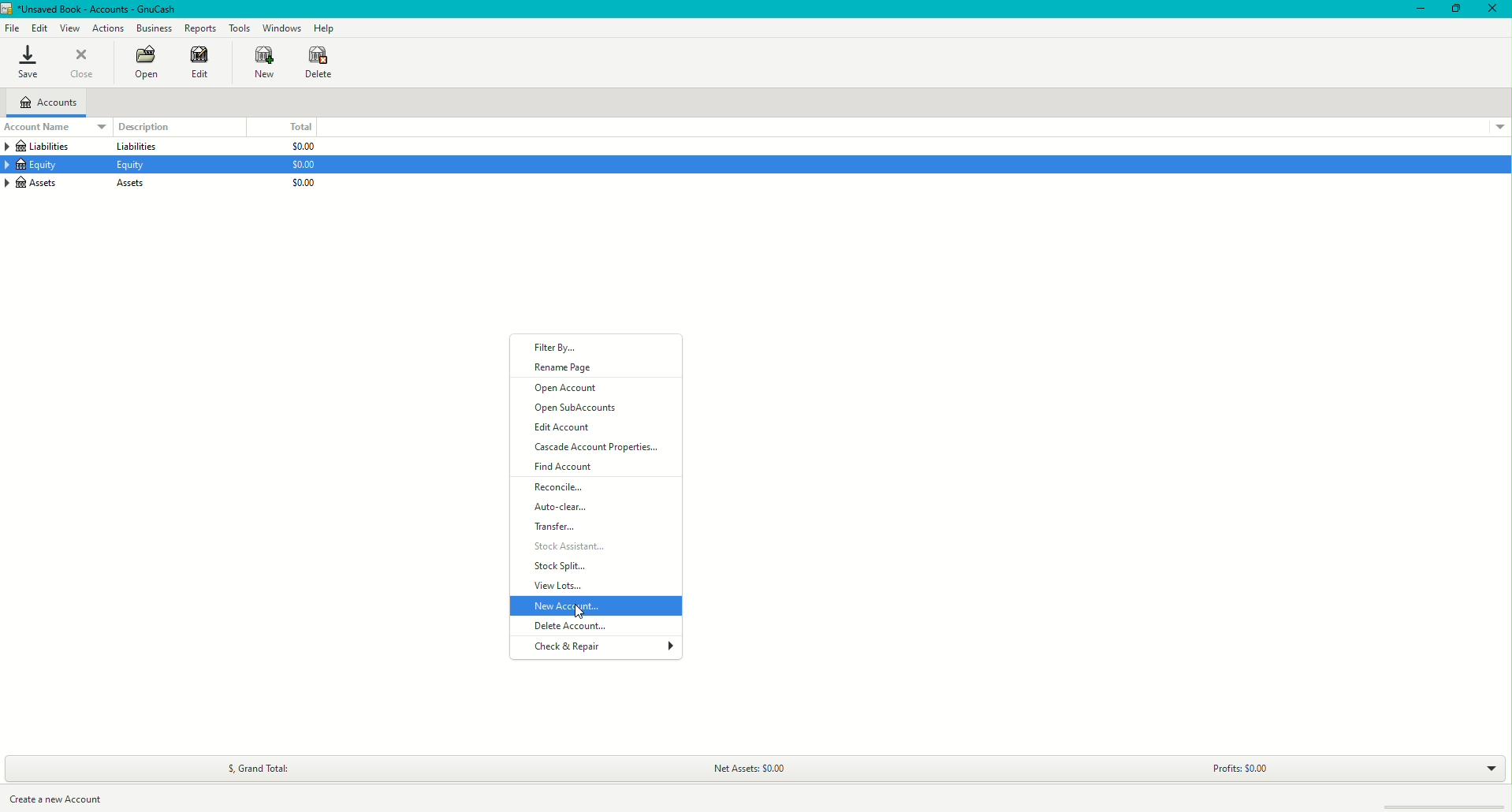  Describe the element at coordinates (261, 63) in the screenshot. I see `New` at that location.